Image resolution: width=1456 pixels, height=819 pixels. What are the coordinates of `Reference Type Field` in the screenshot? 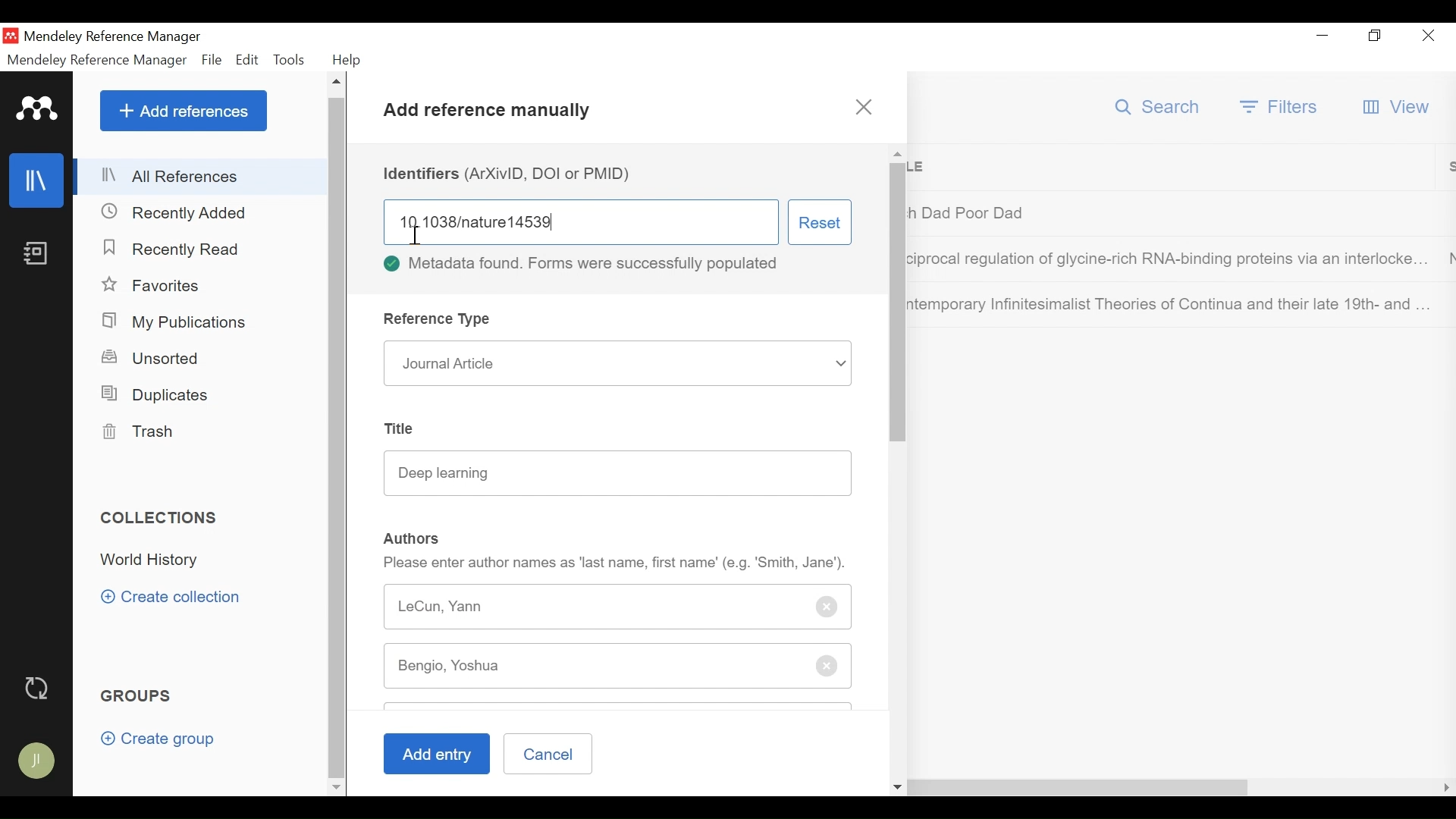 It's located at (617, 362).